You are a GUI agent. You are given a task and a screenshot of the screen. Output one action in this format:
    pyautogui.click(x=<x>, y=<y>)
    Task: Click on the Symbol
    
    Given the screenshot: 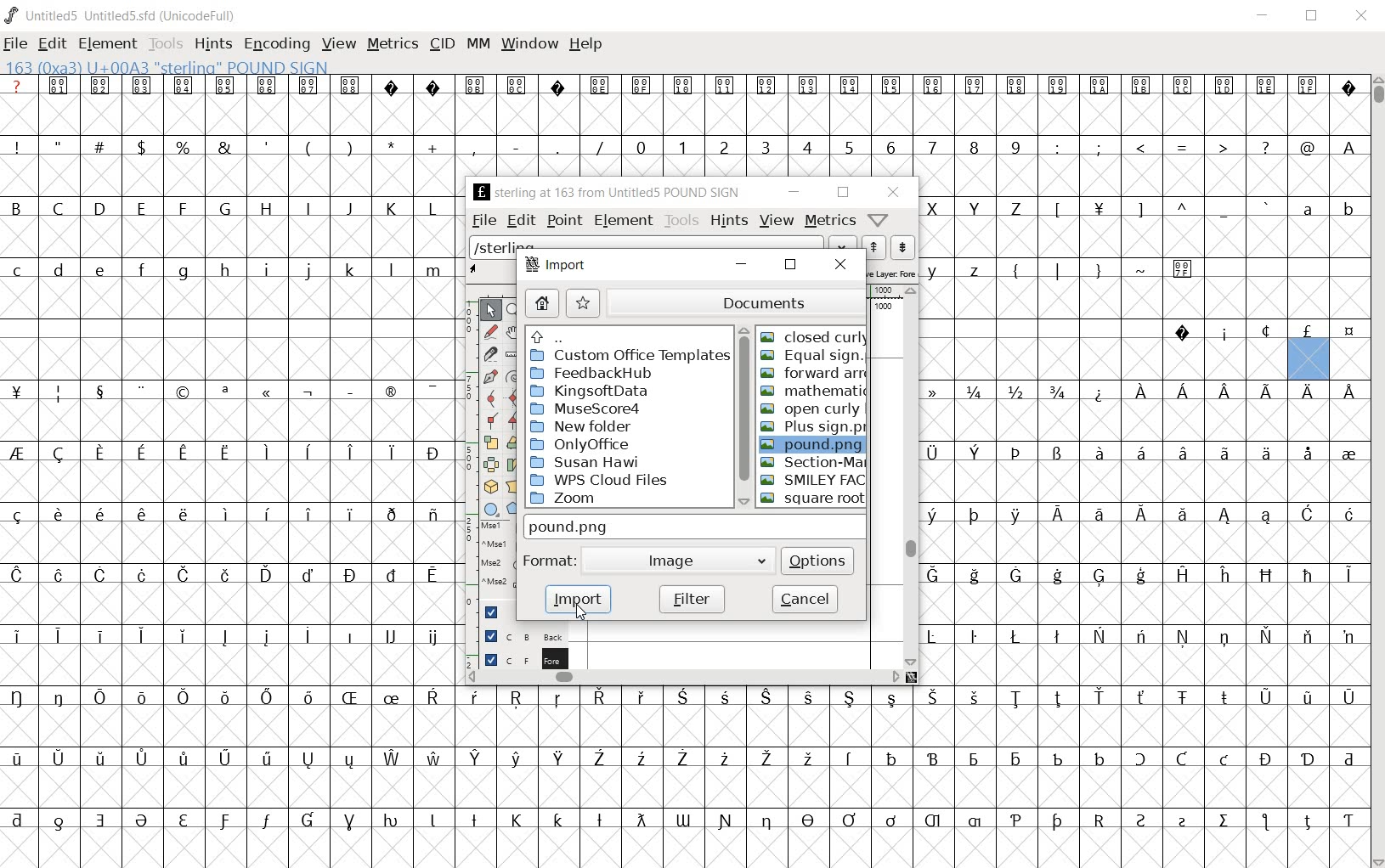 What is the action you would take?
    pyautogui.click(x=1142, y=820)
    